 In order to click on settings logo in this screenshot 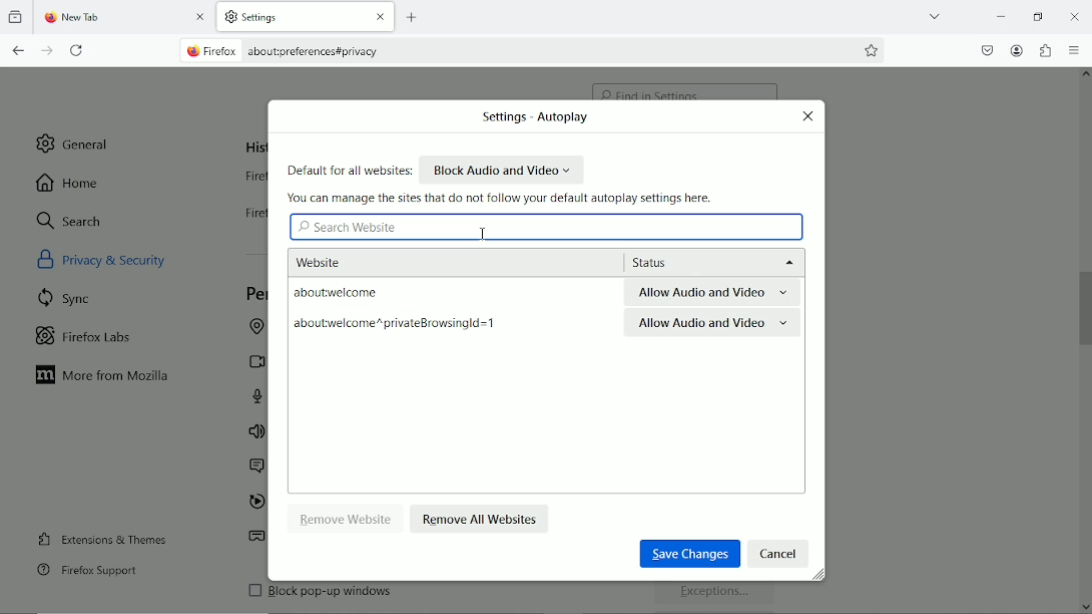, I will do `click(230, 16)`.